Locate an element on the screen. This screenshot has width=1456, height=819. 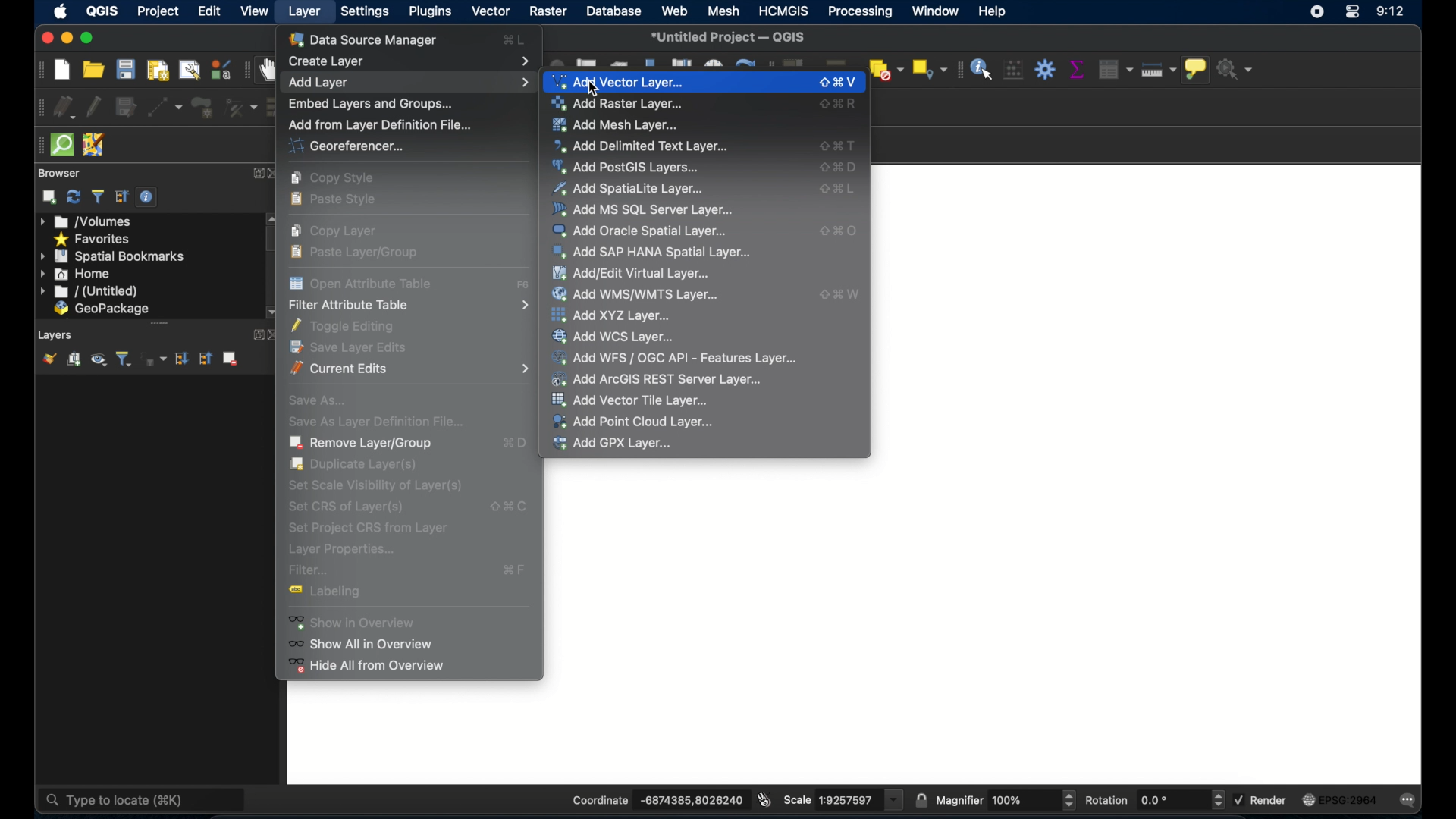
map navigation toolbar is located at coordinates (245, 72).